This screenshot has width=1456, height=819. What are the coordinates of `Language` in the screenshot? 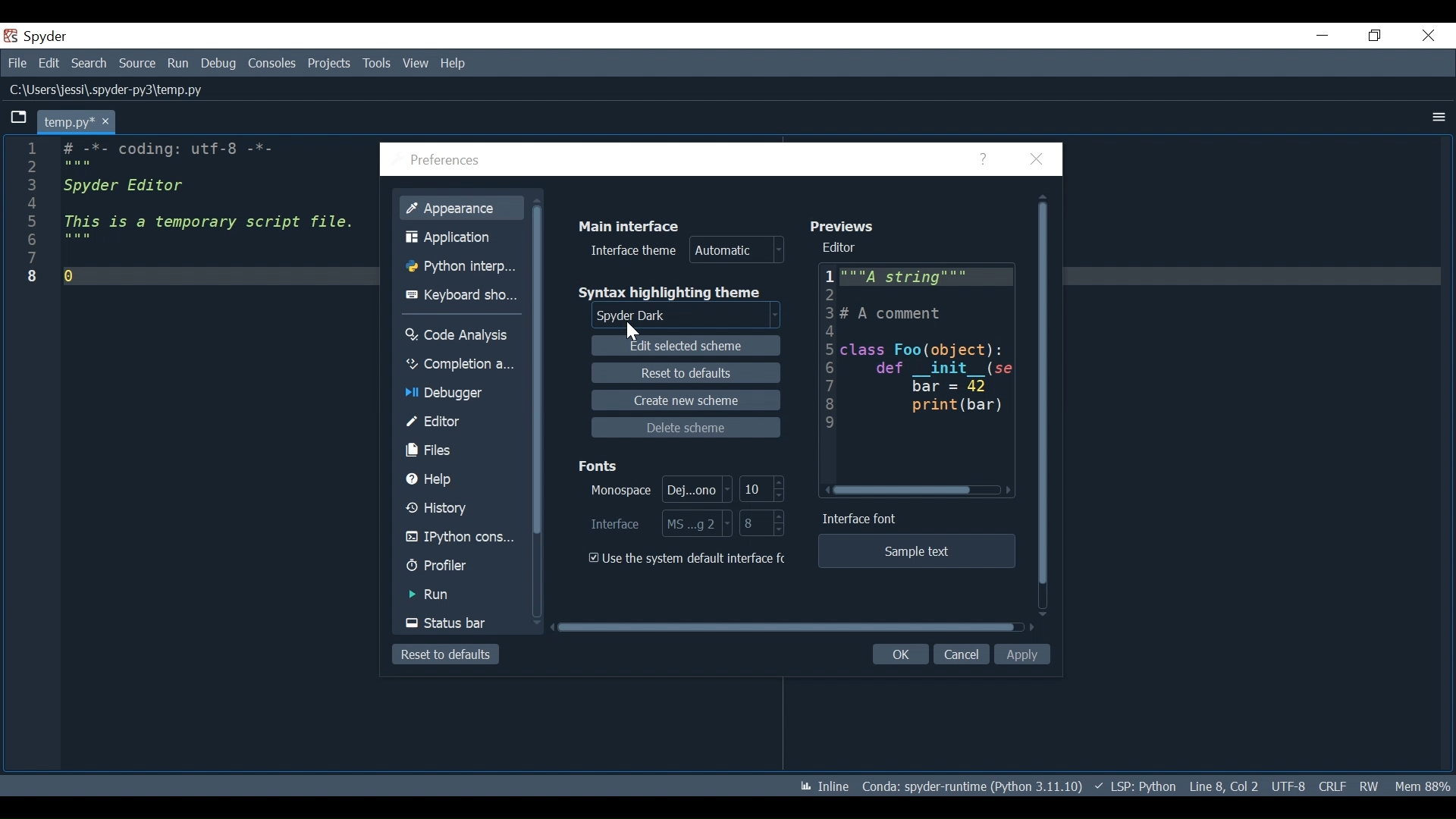 It's located at (1135, 785).